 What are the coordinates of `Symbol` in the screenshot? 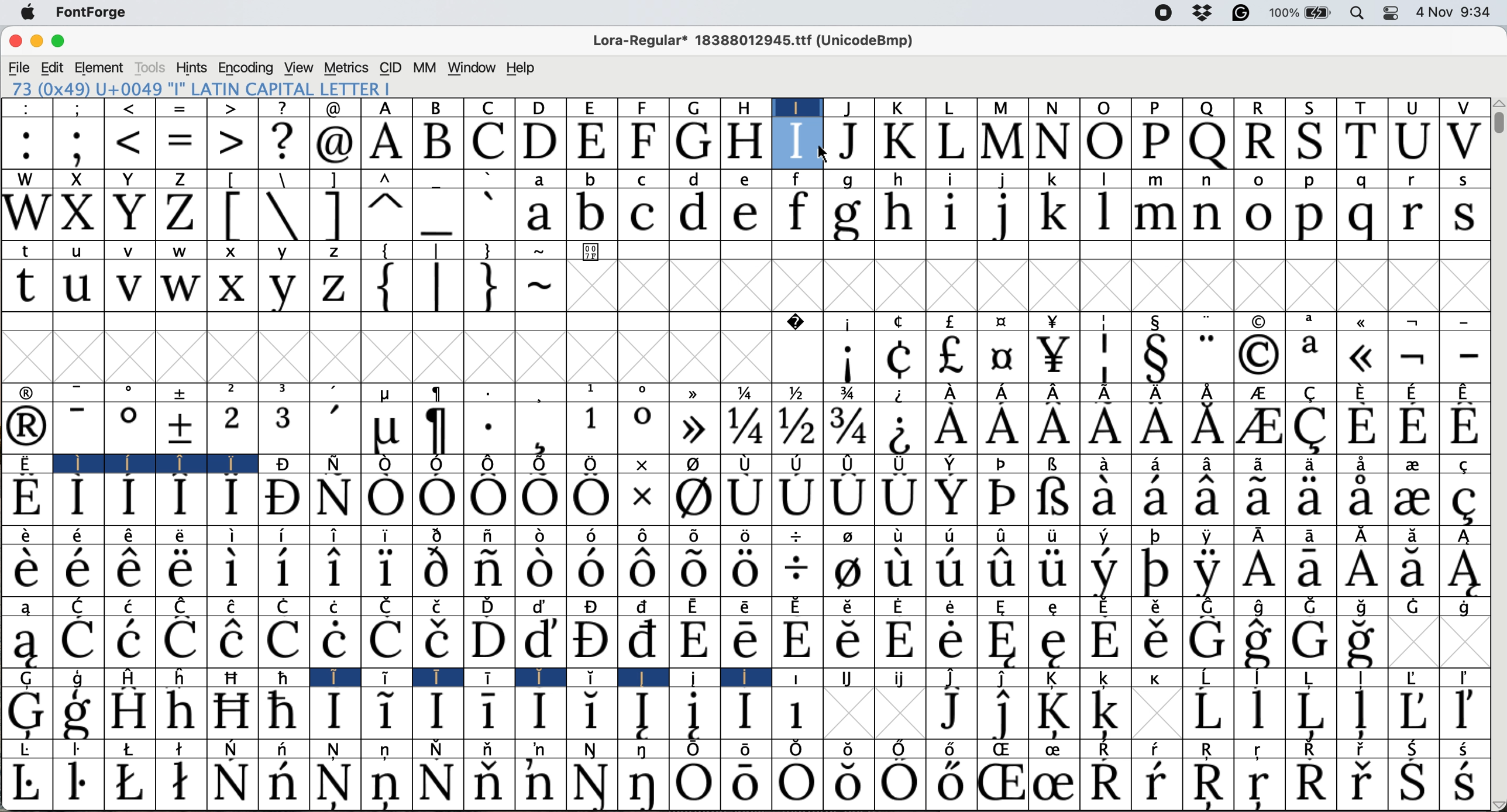 It's located at (902, 428).